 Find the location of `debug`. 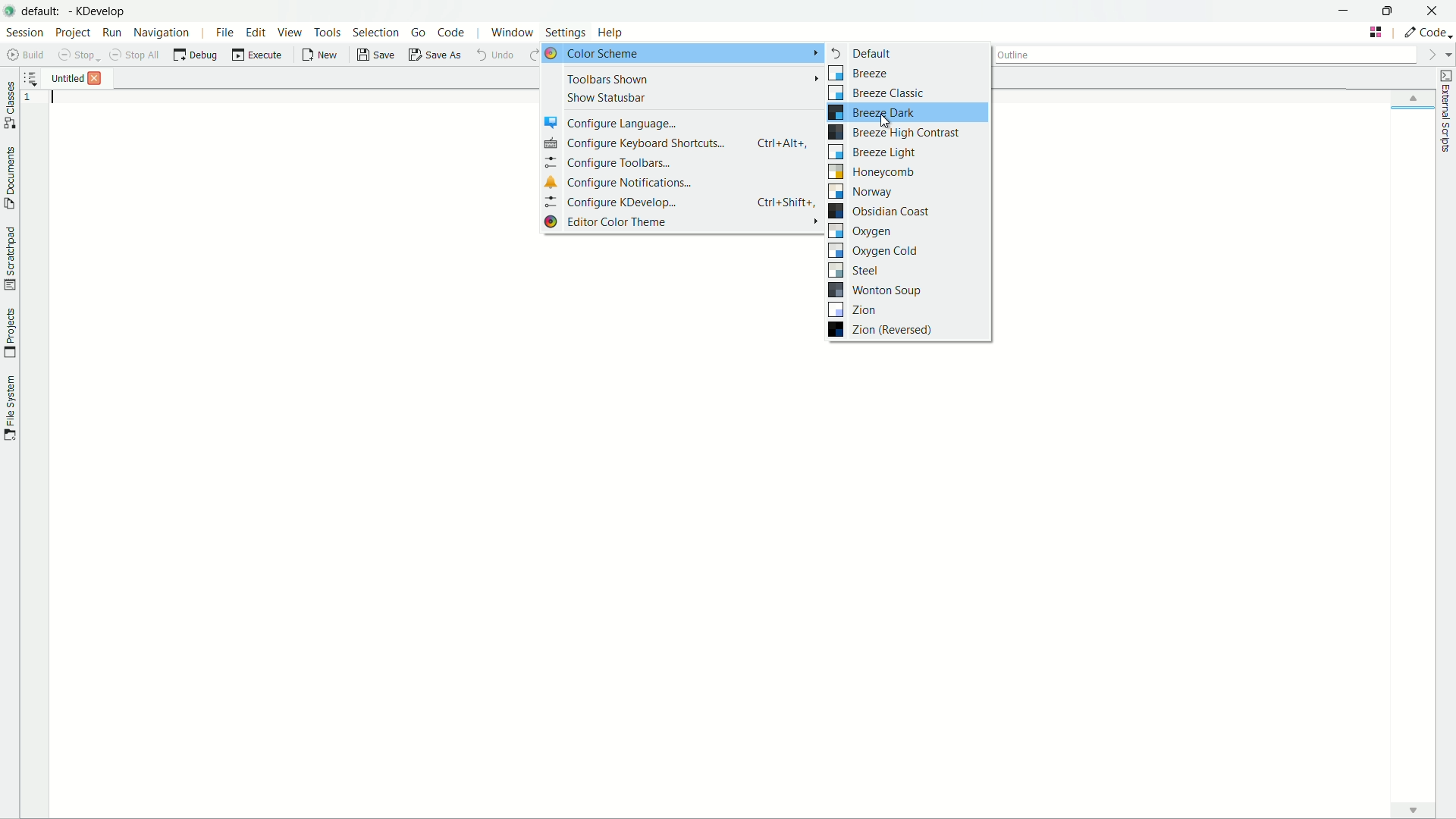

debug is located at coordinates (195, 55).